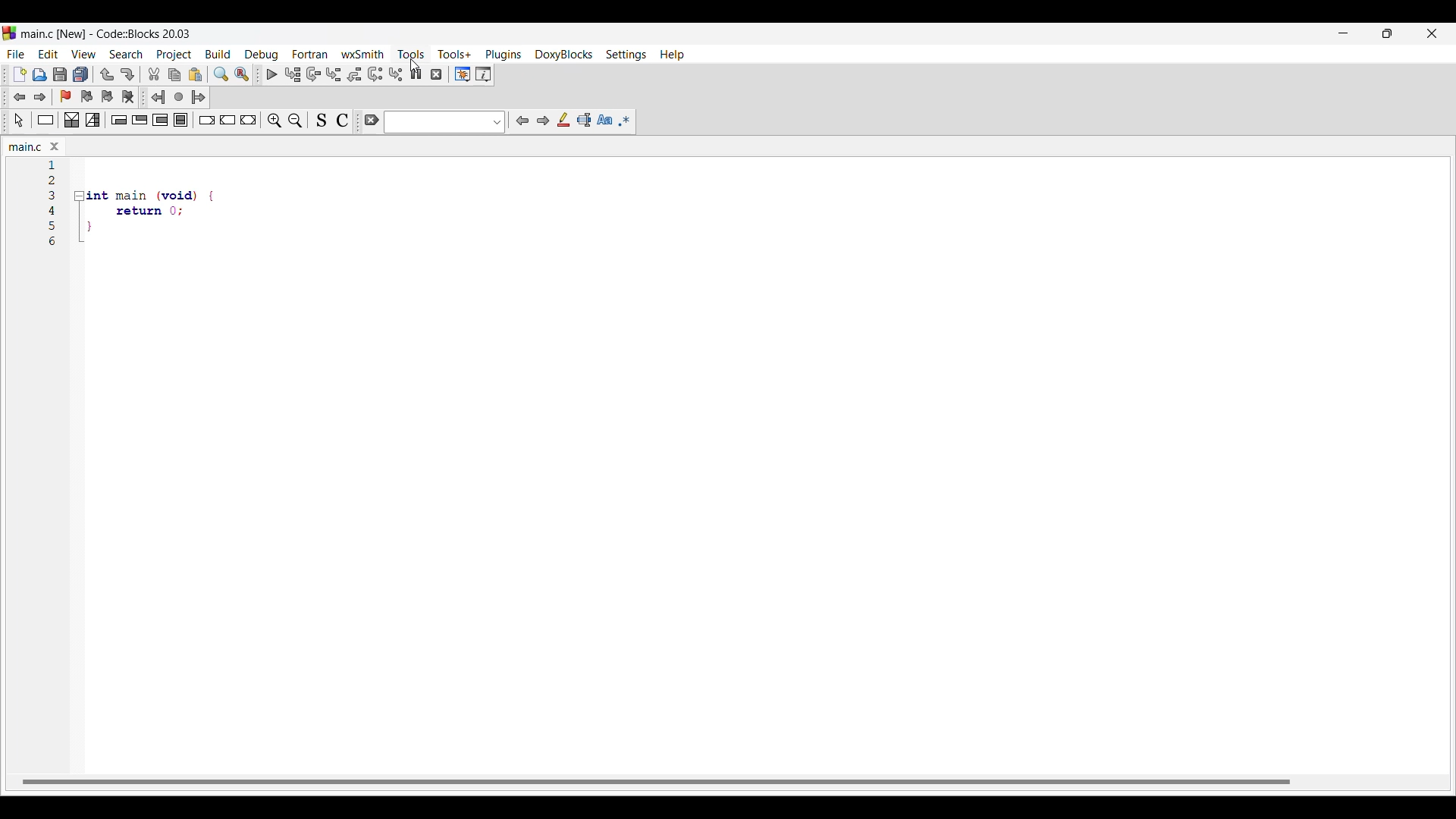 This screenshot has height=819, width=1456. What do you see at coordinates (375, 74) in the screenshot?
I see `Next instruction` at bounding box center [375, 74].